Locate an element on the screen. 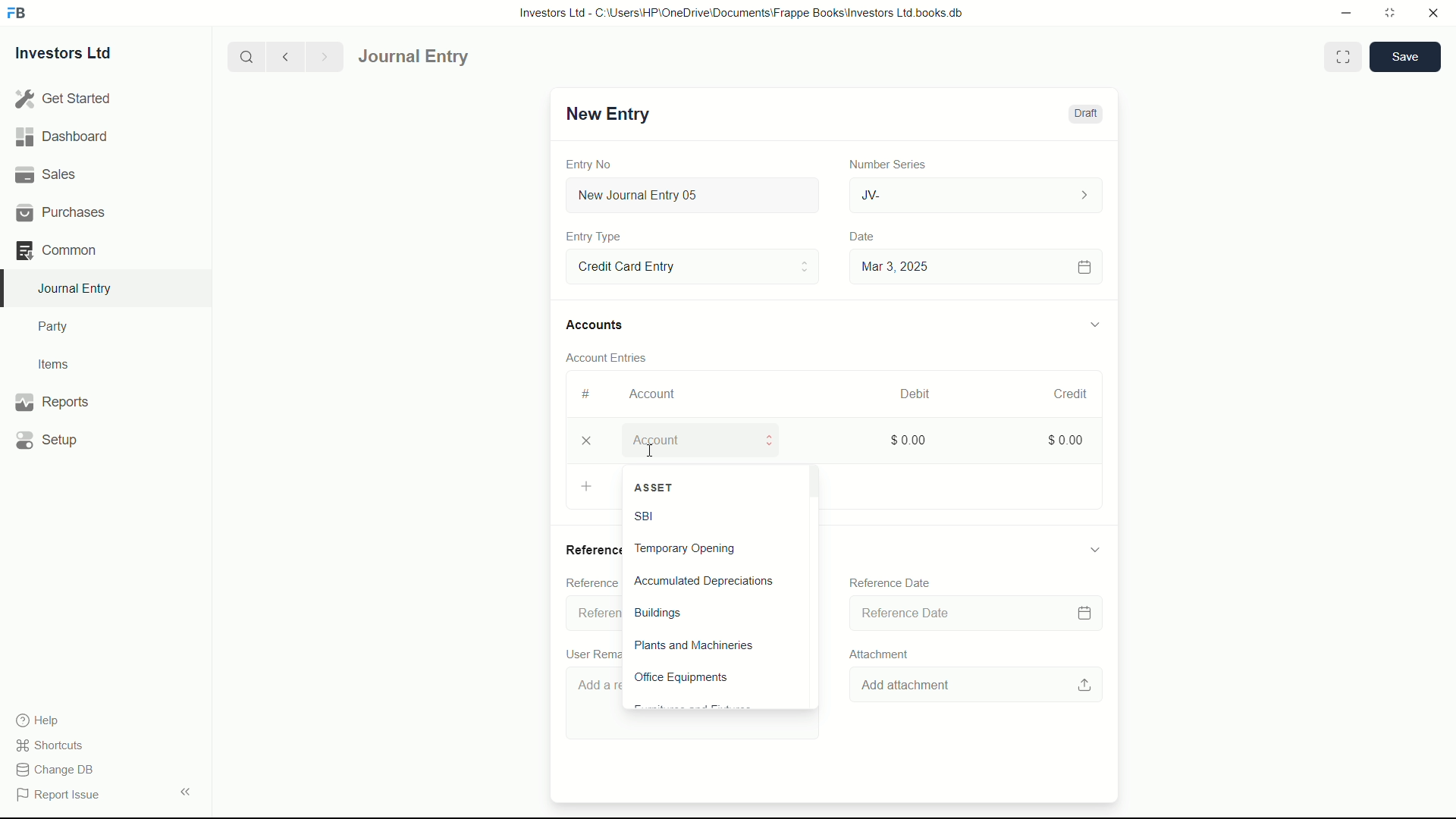 The image size is (1456, 819). Reference Number is located at coordinates (590, 583).